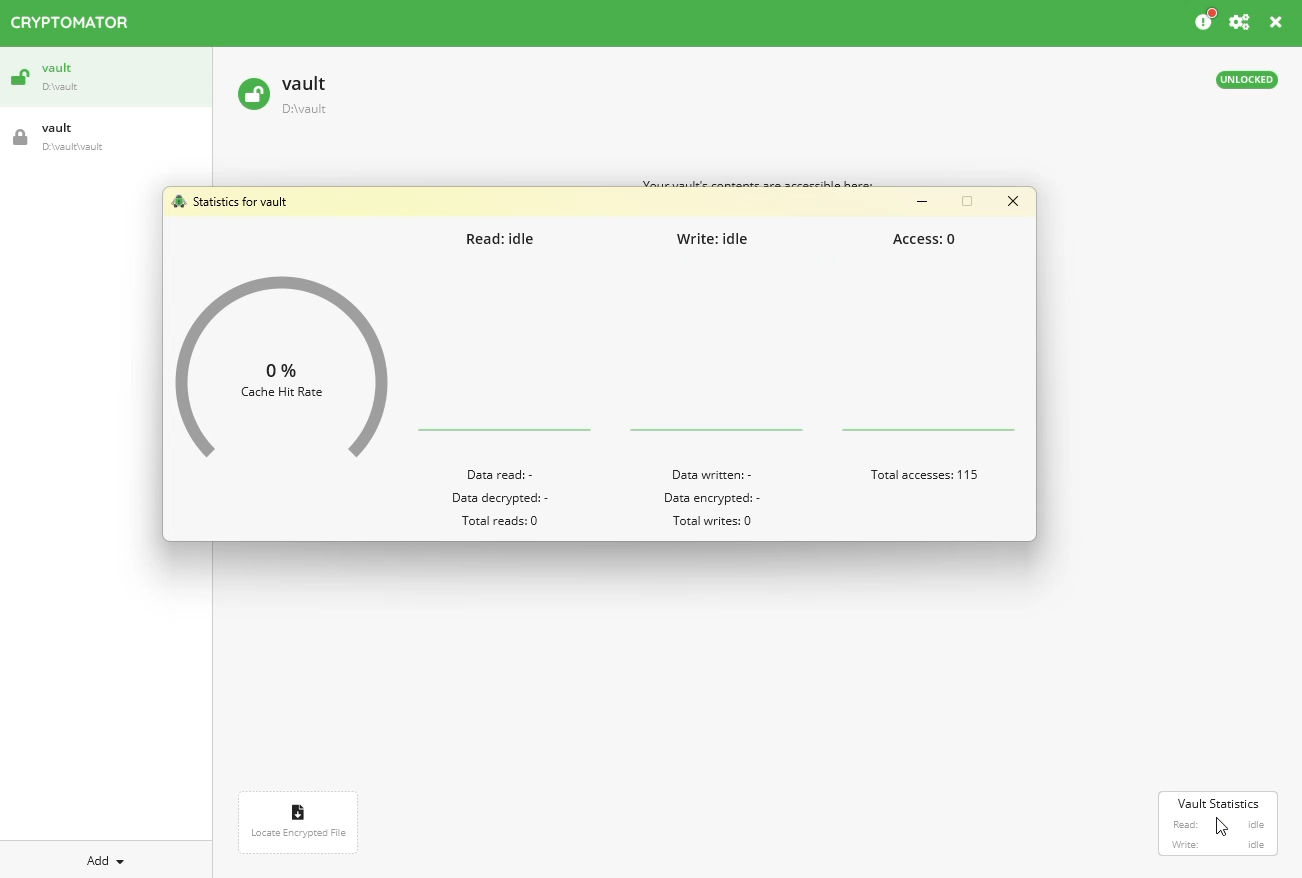  Describe the element at coordinates (1222, 827) in the screenshot. I see `Cursor` at that location.